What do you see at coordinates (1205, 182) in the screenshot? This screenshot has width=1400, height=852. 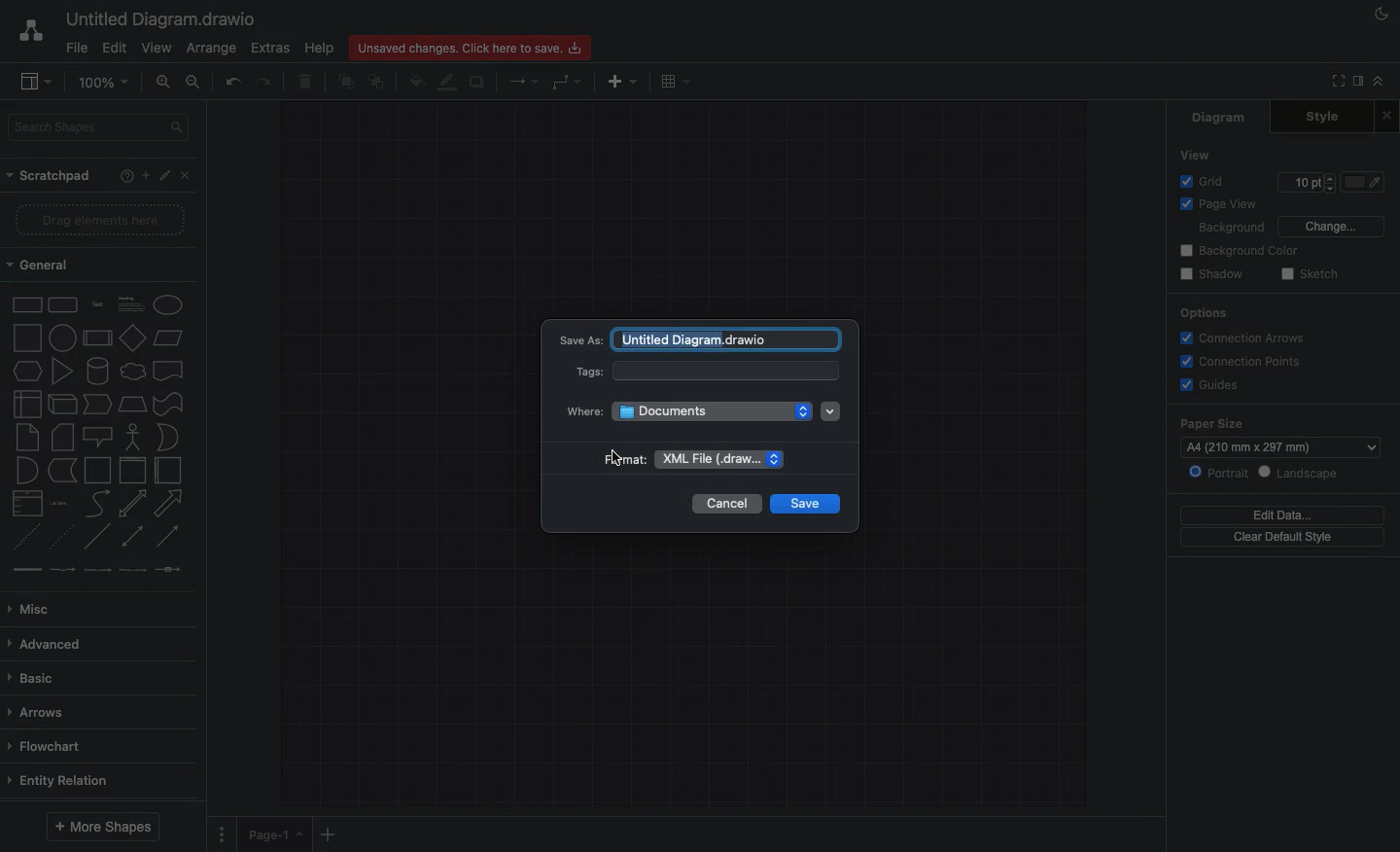 I see `Grid` at bounding box center [1205, 182].